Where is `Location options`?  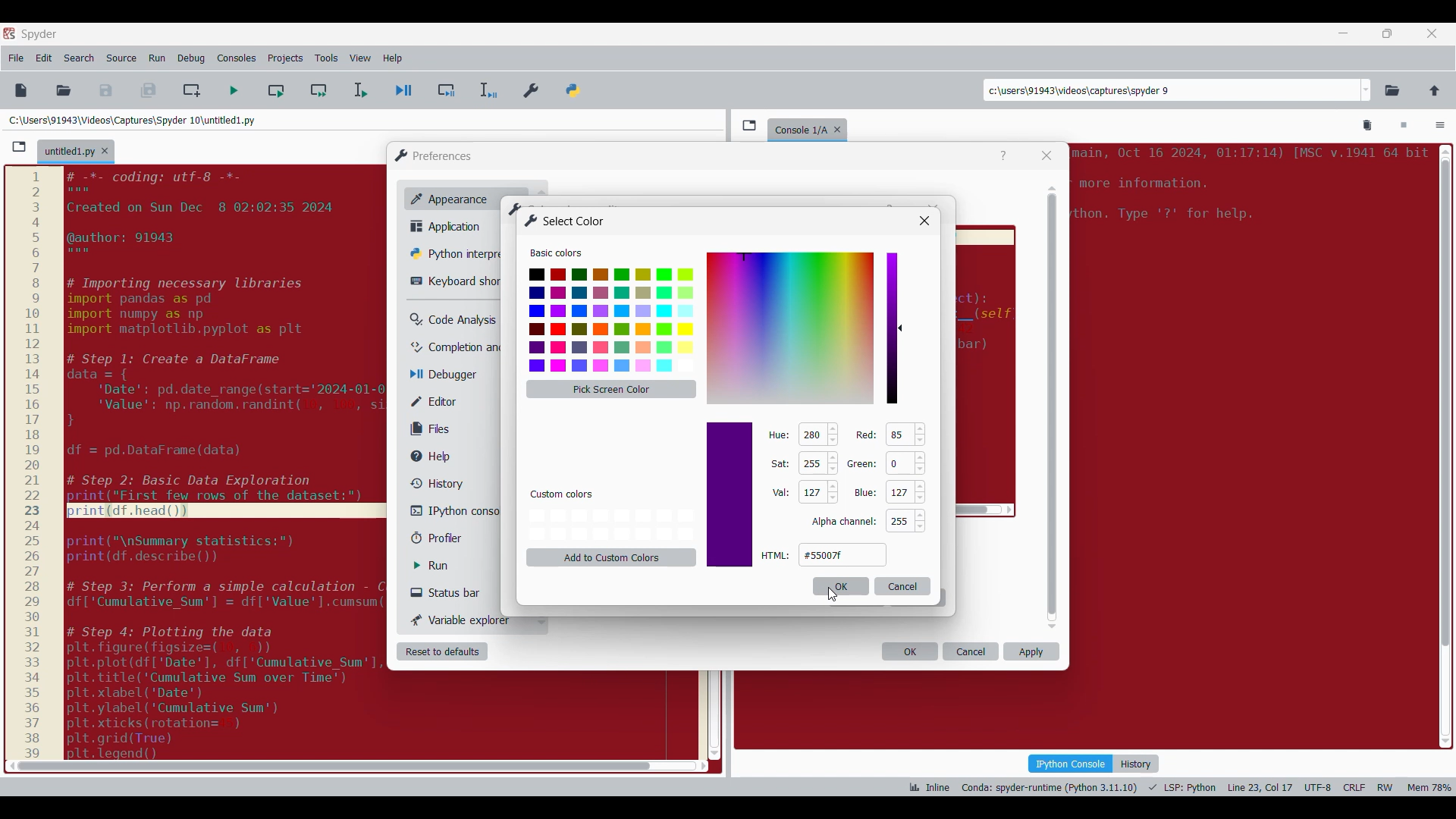 Location options is located at coordinates (1367, 90).